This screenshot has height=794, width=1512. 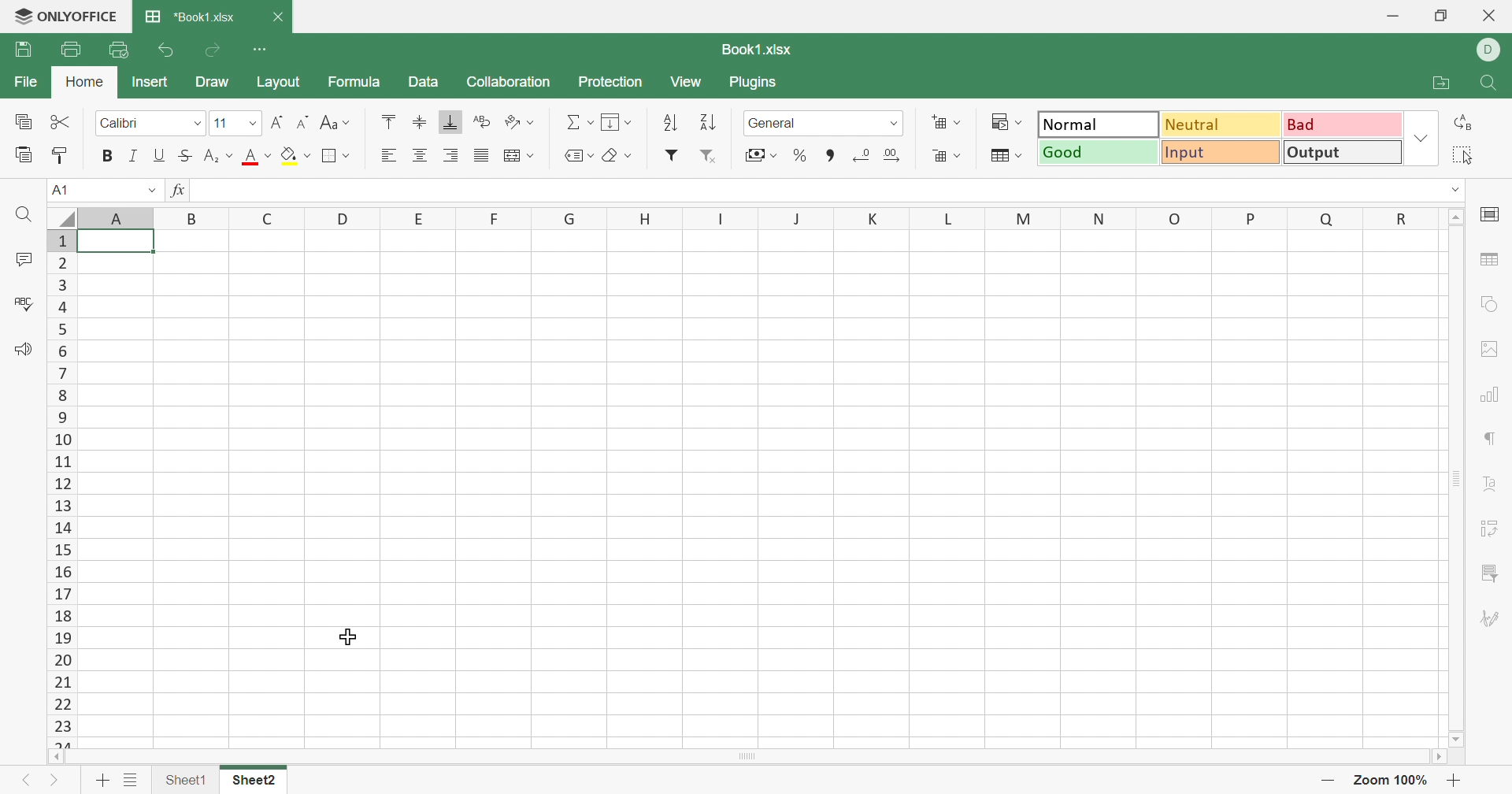 What do you see at coordinates (1421, 138) in the screenshot?
I see `Drop Down` at bounding box center [1421, 138].